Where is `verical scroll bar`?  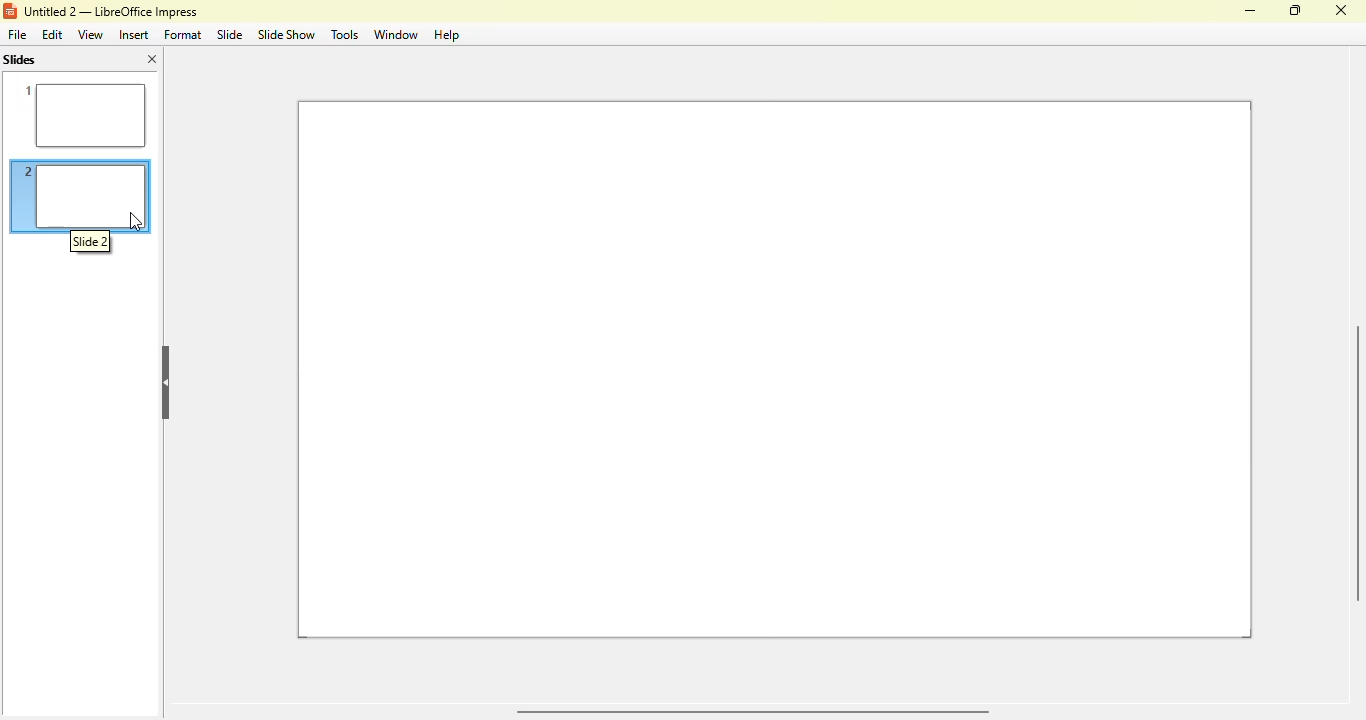
verical scroll bar is located at coordinates (1353, 463).